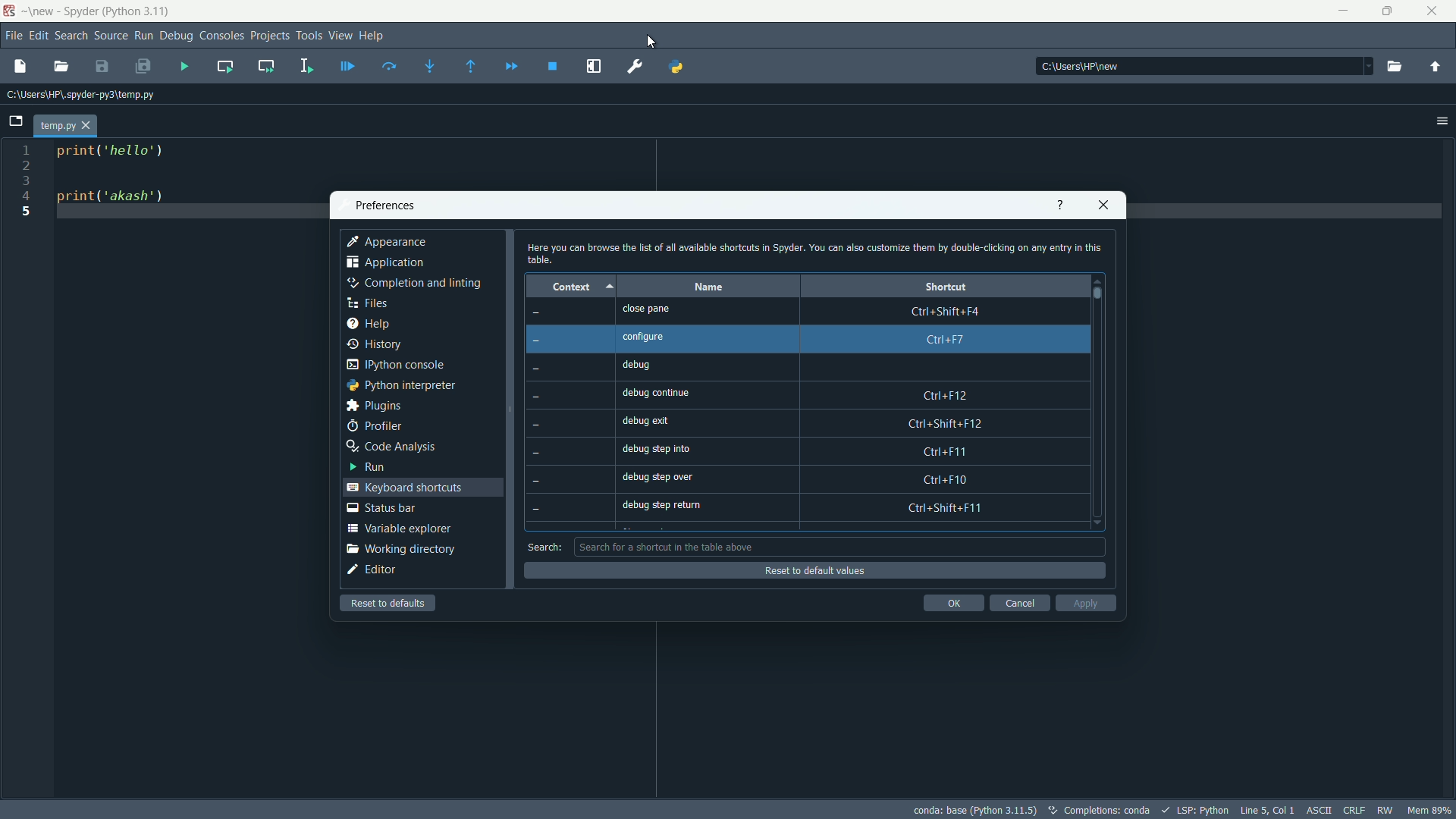  I want to click on file eol status, so click(1353, 808).